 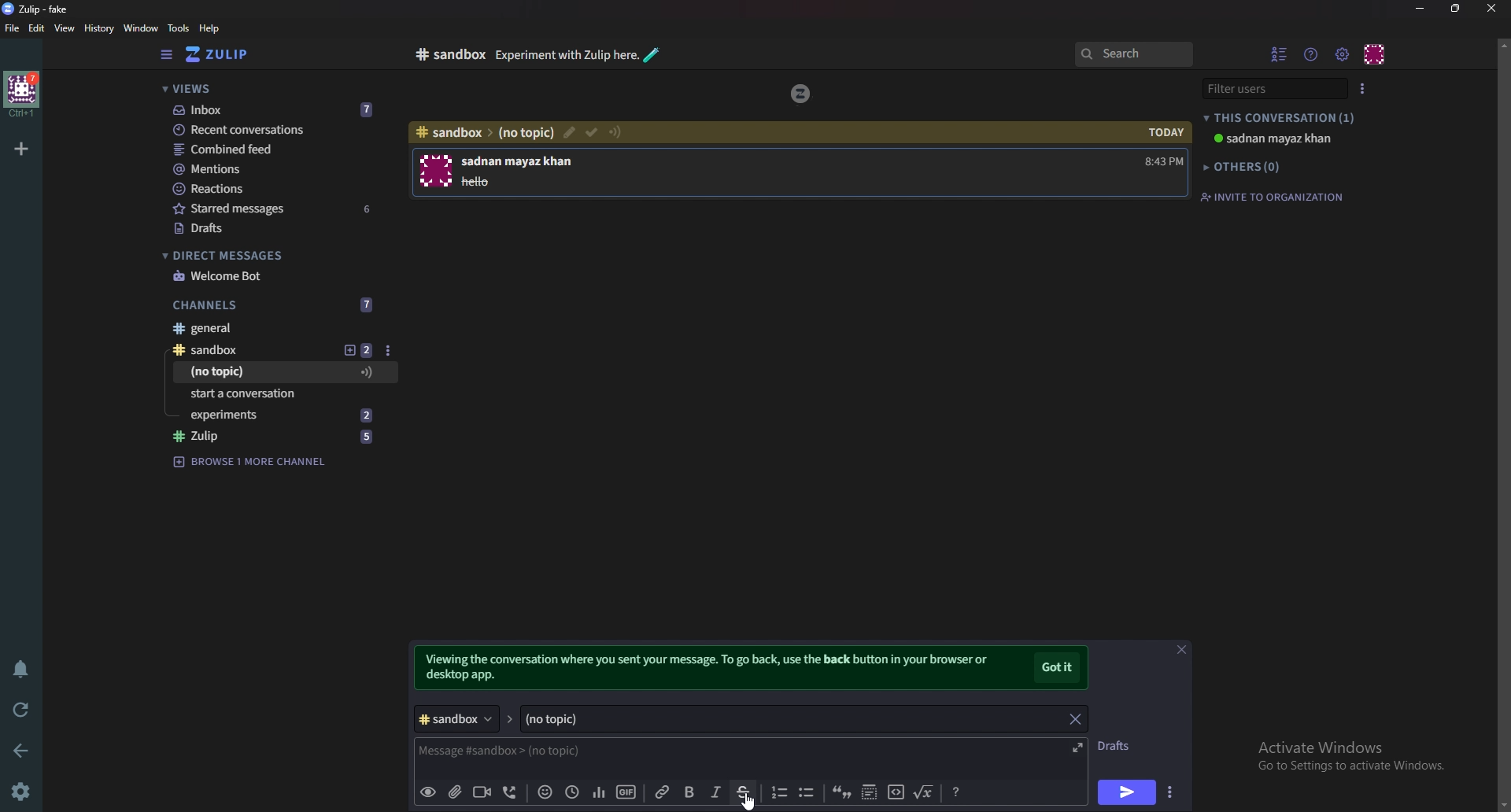 What do you see at coordinates (715, 793) in the screenshot?
I see `Italic` at bounding box center [715, 793].